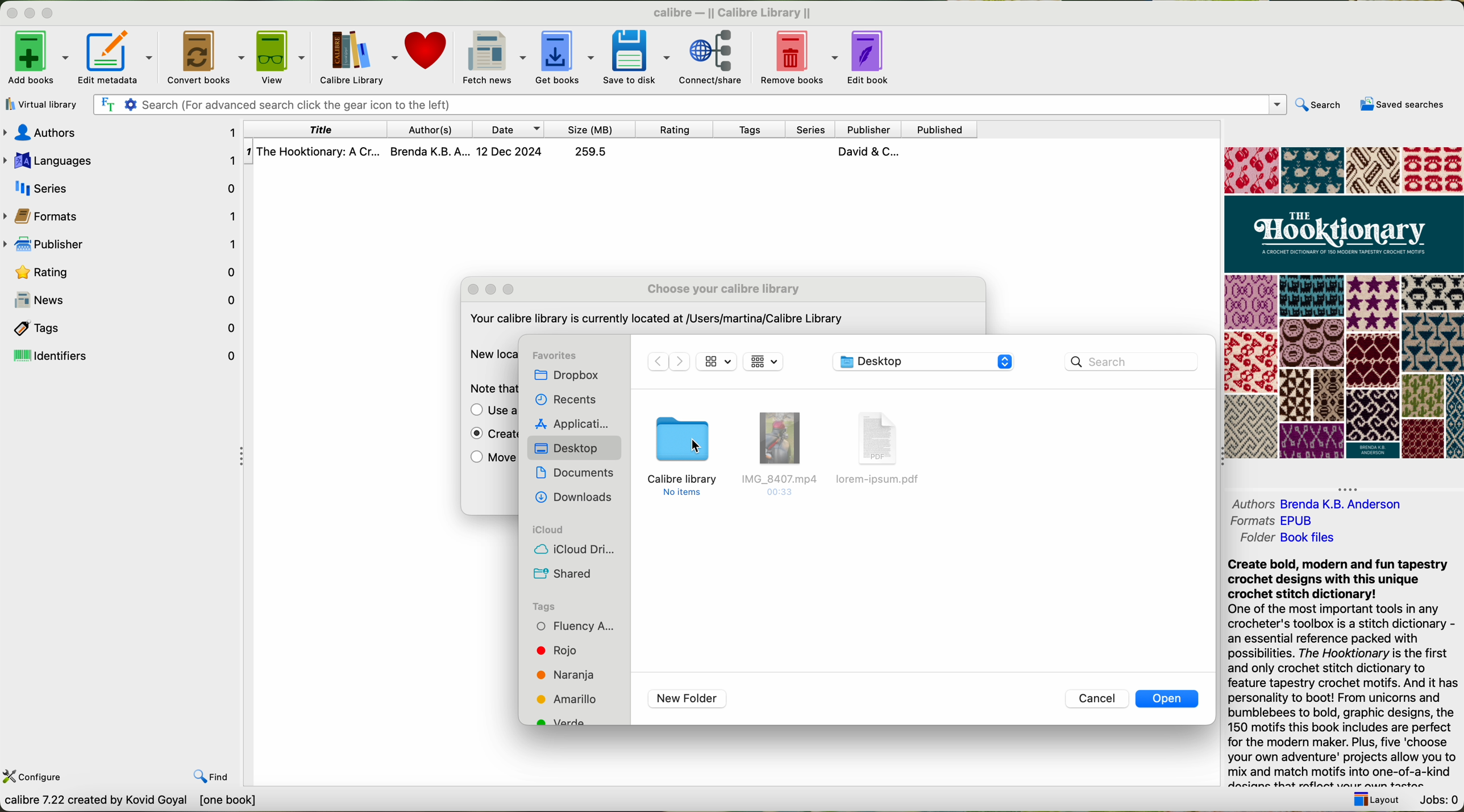 The image size is (1464, 812). What do you see at coordinates (573, 474) in the screenshot?
I see `documents` at bounding box center [573, 474].